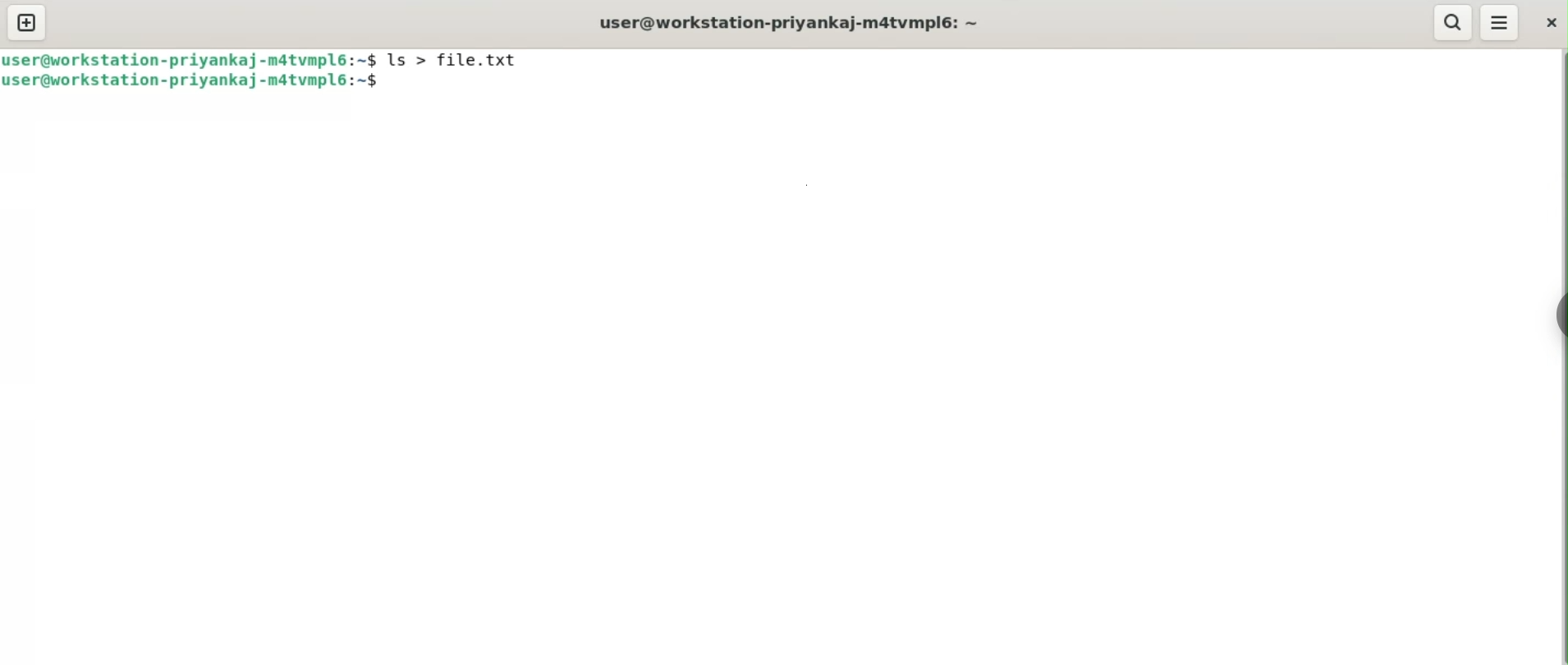 The image size is (1568, 665). What do you see at coordinates (797, 23) in the screenshot?
I see `user@workstation-priyankaj-m4tvmpl6: ~` at bounding box center [797, 23].